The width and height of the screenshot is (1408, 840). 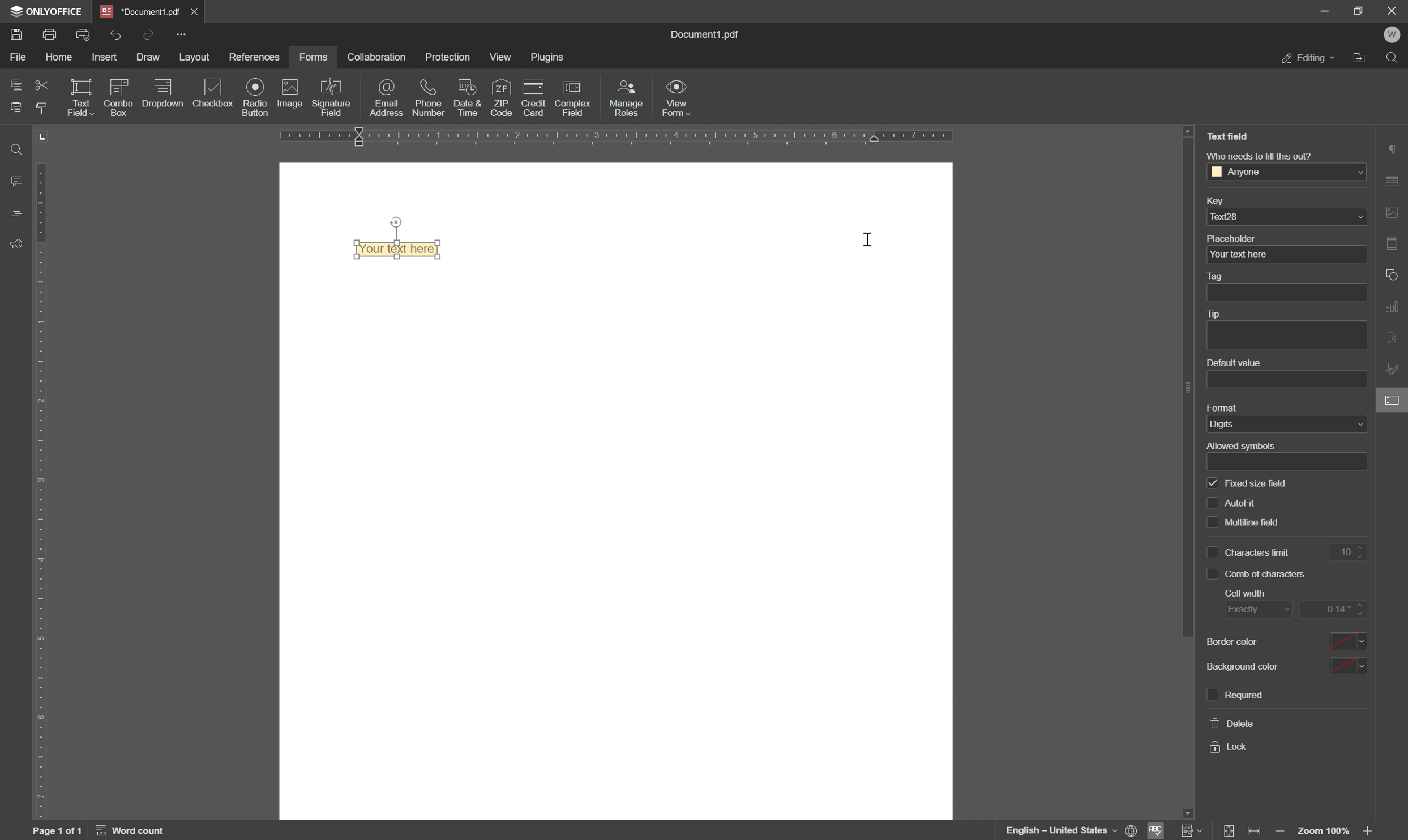 What do you see at coordinates (1234, 643) in the screenshot?
I see `border color` at bounding box center [1234, 643].